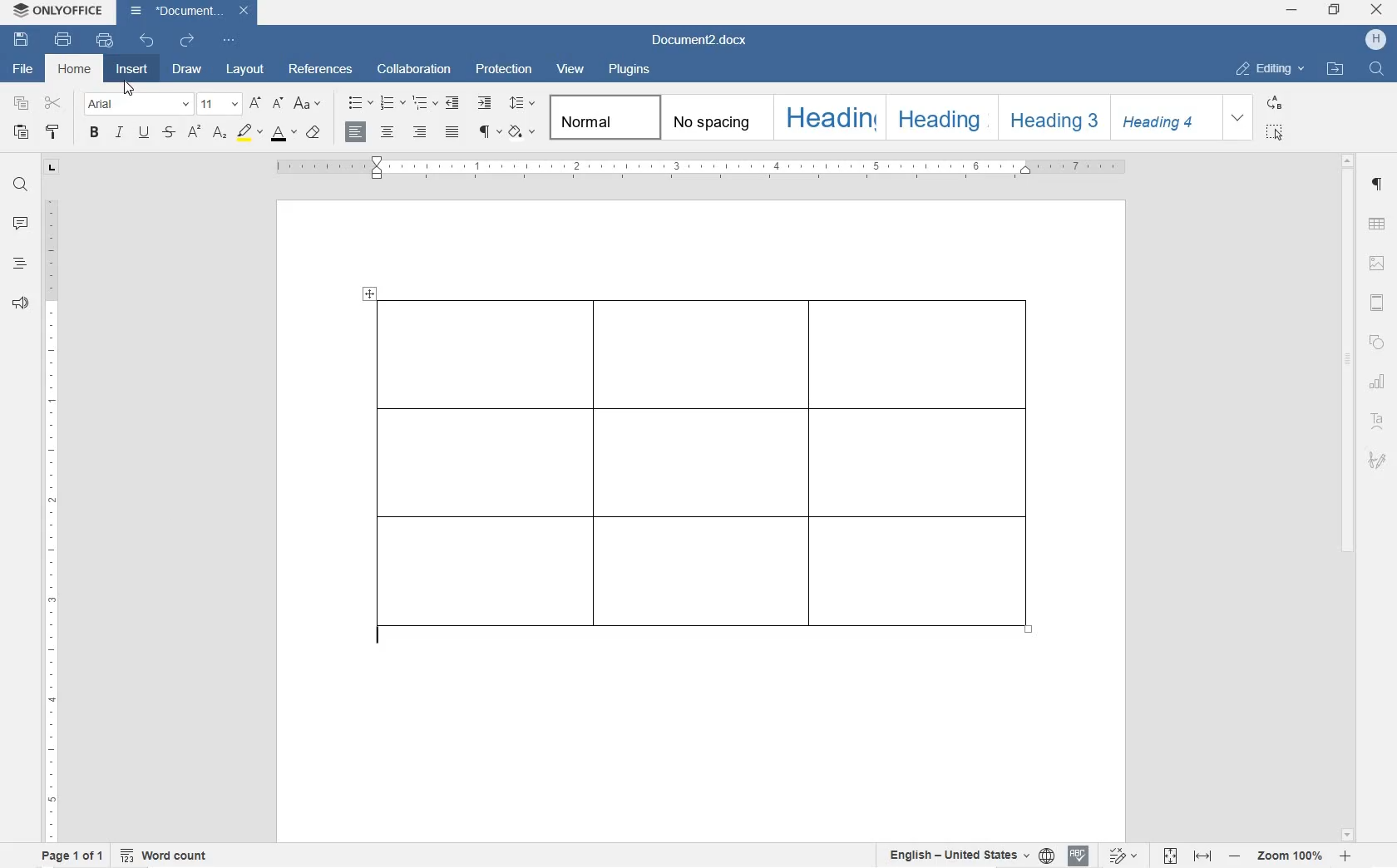  I want to click on Document3.docx, so click(704, 42).